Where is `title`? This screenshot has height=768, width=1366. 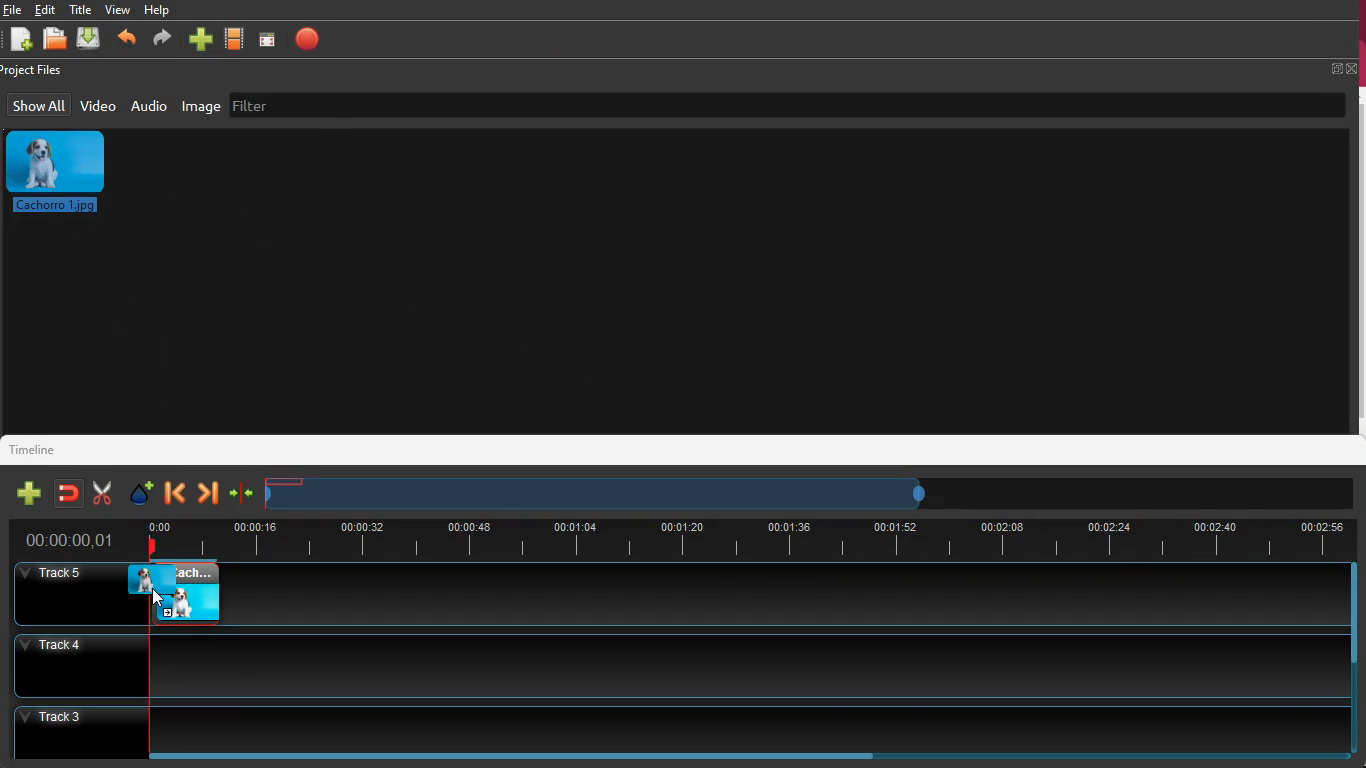 title is located at coordinates (81, 8).